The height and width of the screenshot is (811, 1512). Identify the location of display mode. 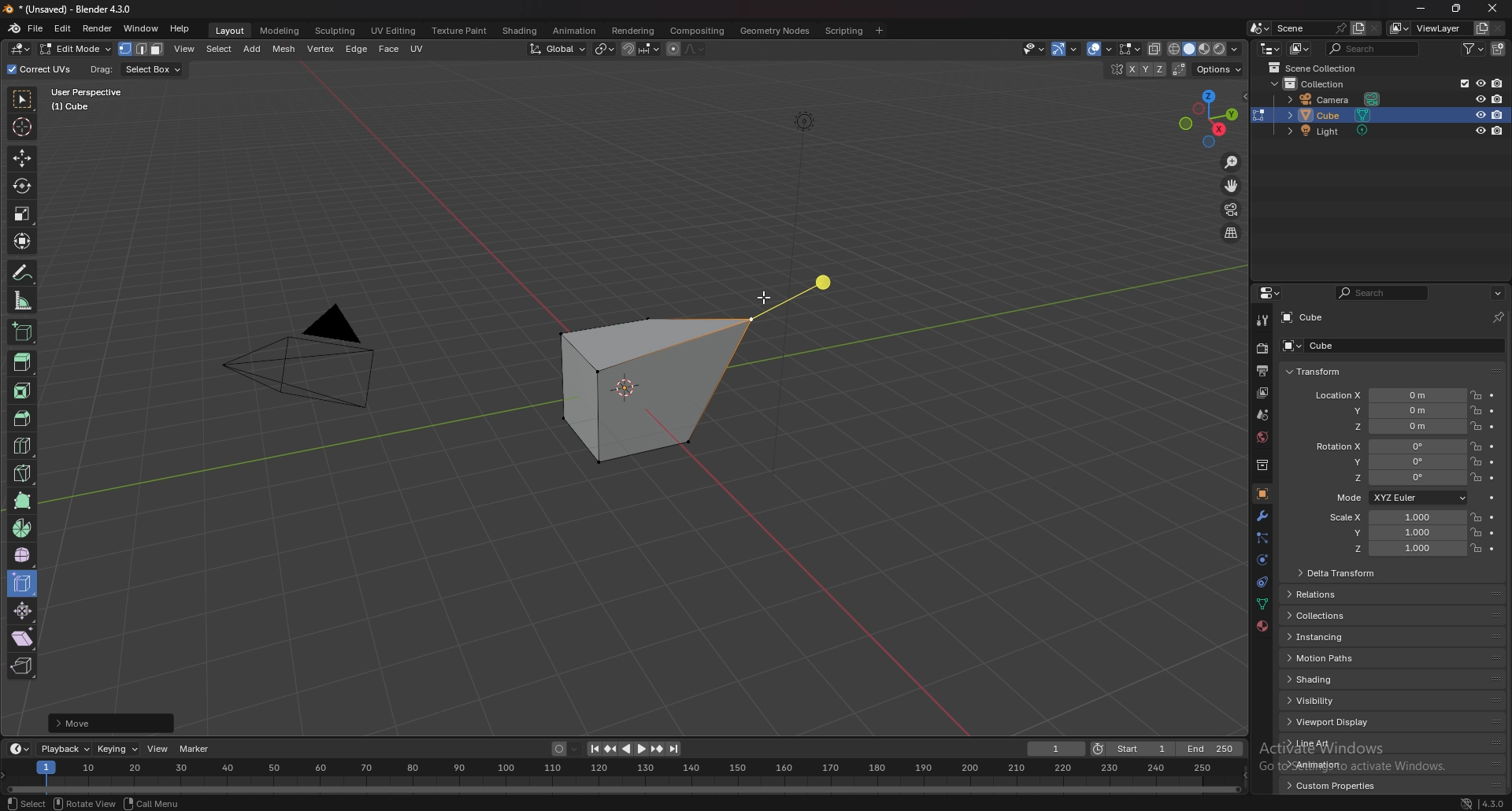
(1300, 49).